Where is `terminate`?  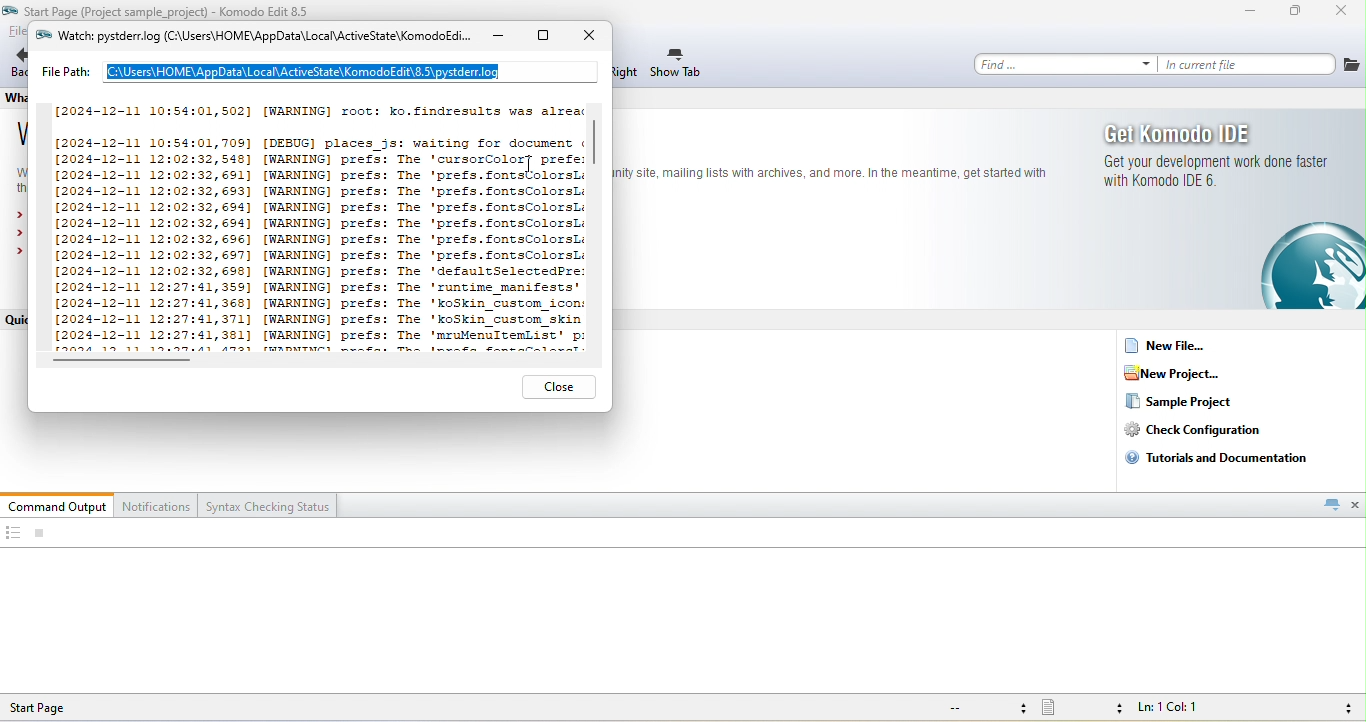
terminate is located at coordinates (40, 534).